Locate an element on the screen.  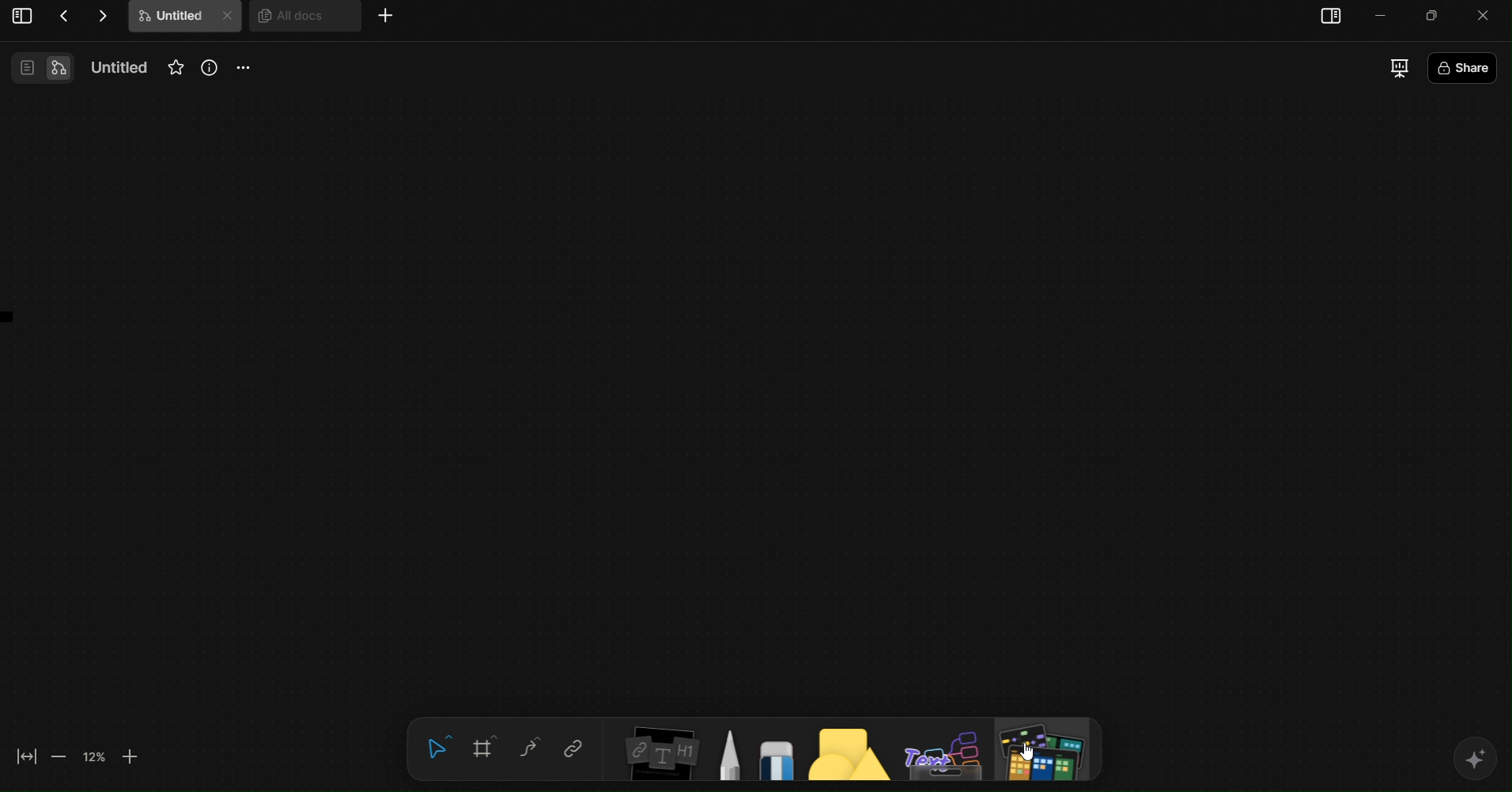
sidebar is located at coordinates (1333, 17).